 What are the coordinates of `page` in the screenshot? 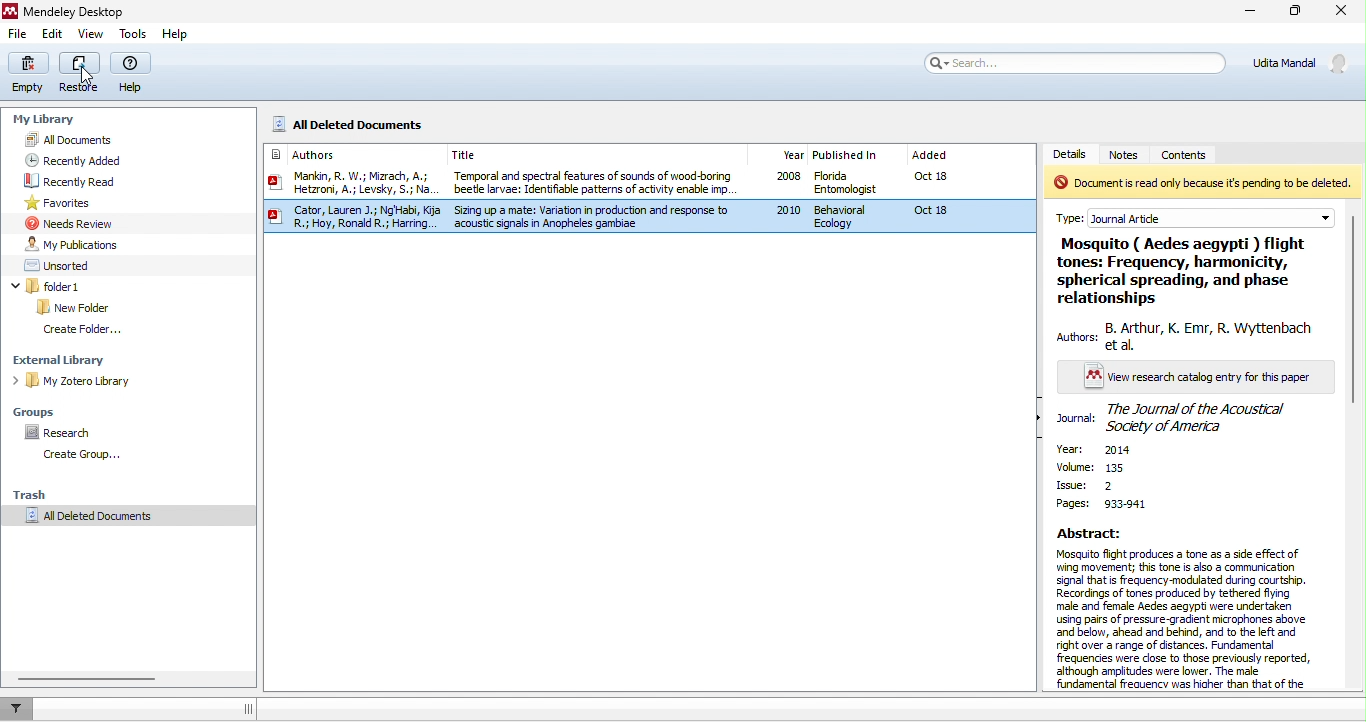 It's located at (1103, 504).